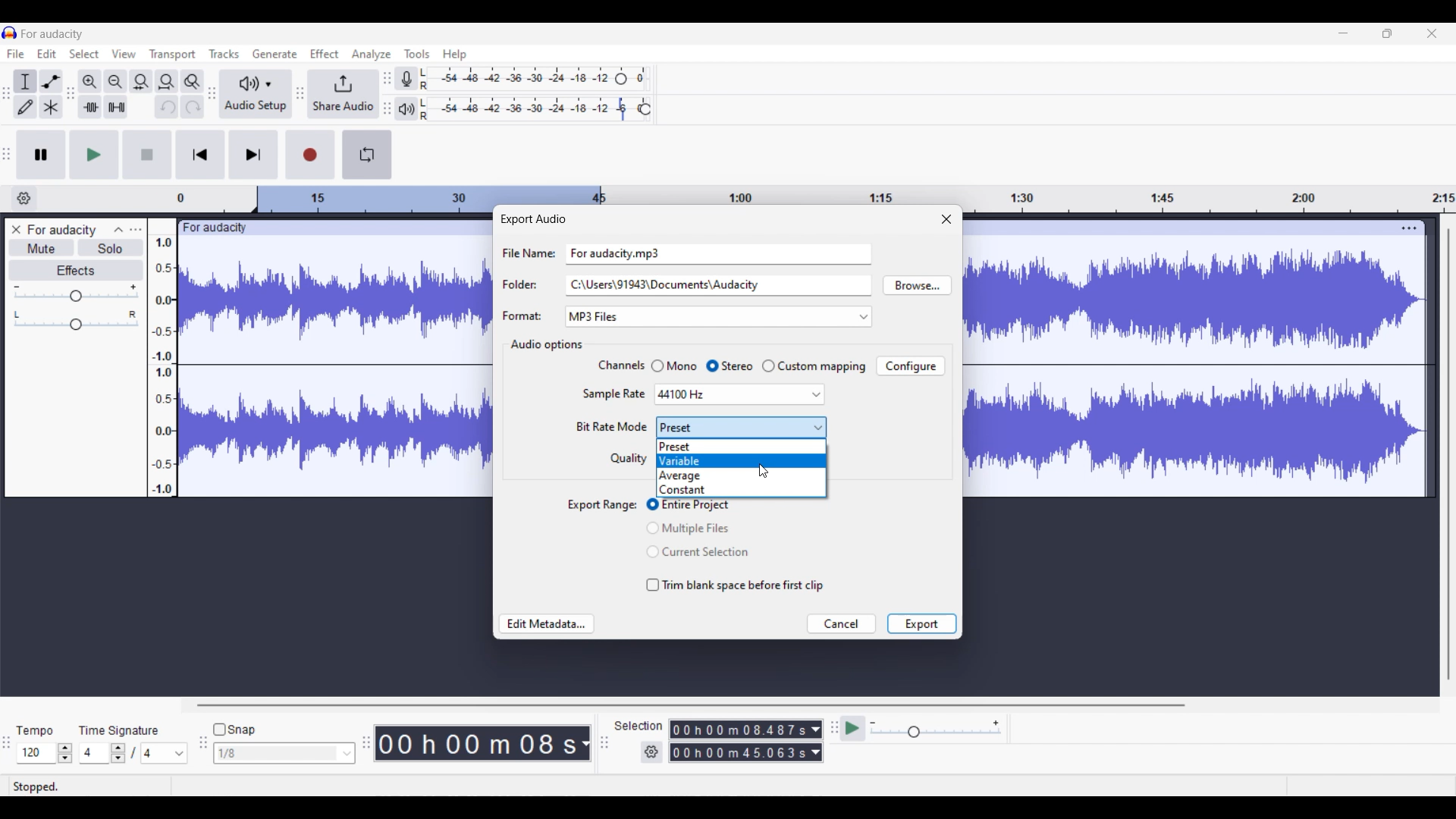 This screenshot has height=819, width=1456. What do you see at coordinates (147, 154) in the screenshot?
I see `Stop` at bounding box center [147, 154].